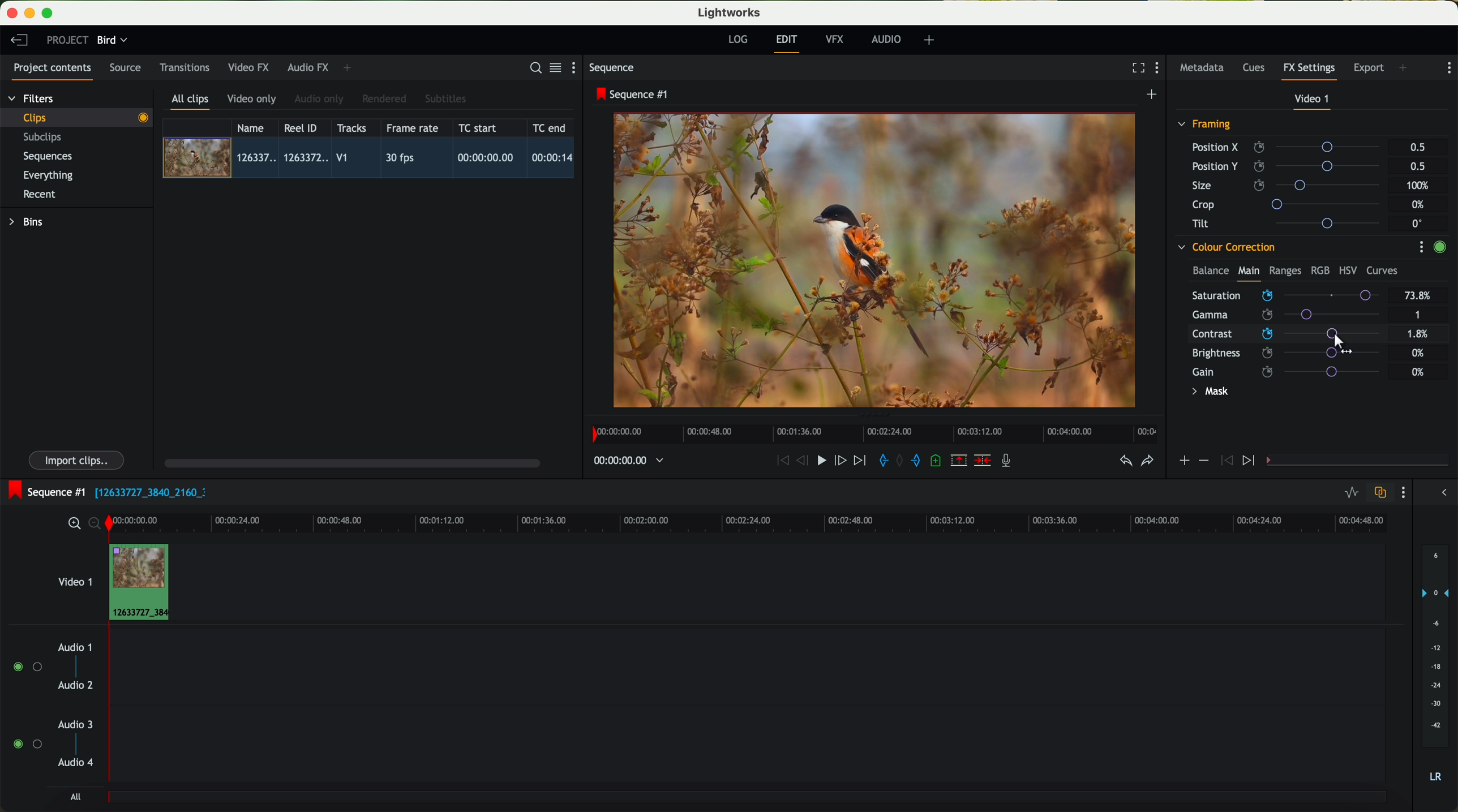 The width and height of the screenshot is (1458, 812). What do you see at coordinates (1436, 667) in the screenshot?
I see `audio output level (d/B)` at bounding box center [1436, 667].